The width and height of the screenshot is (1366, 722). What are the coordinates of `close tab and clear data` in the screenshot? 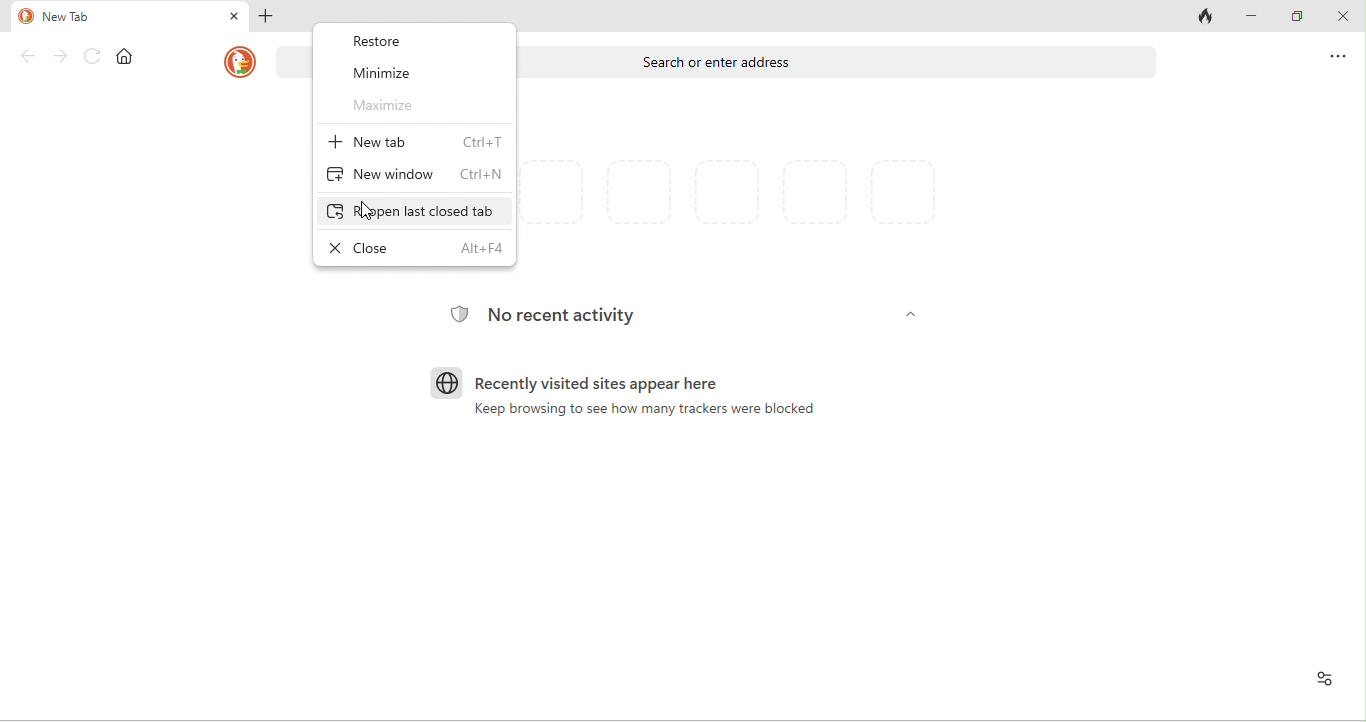 It's located at (1206, 14).